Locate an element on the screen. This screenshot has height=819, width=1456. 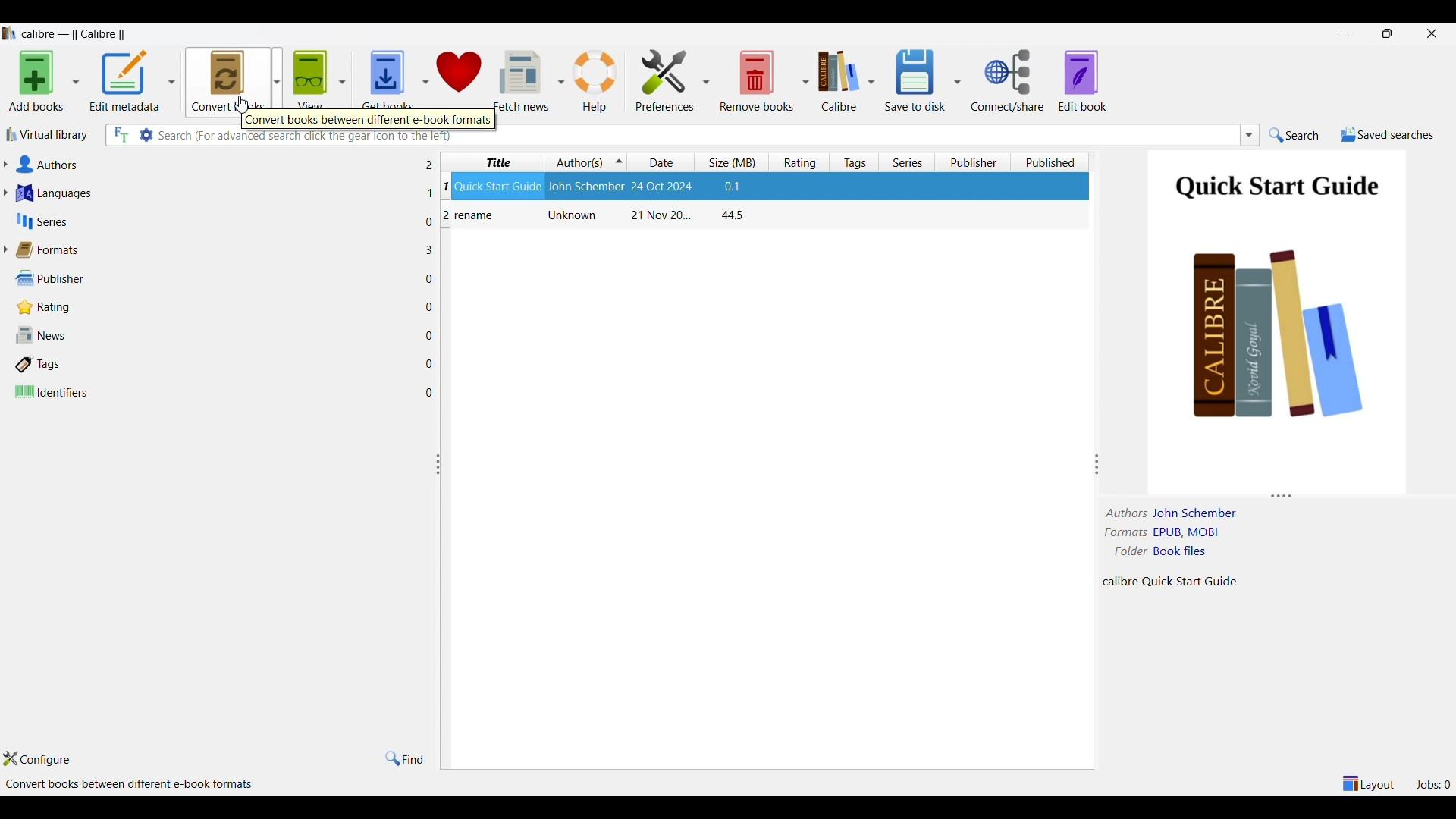
Change width of panels attached to this line is located at coordinates (1097, 437).